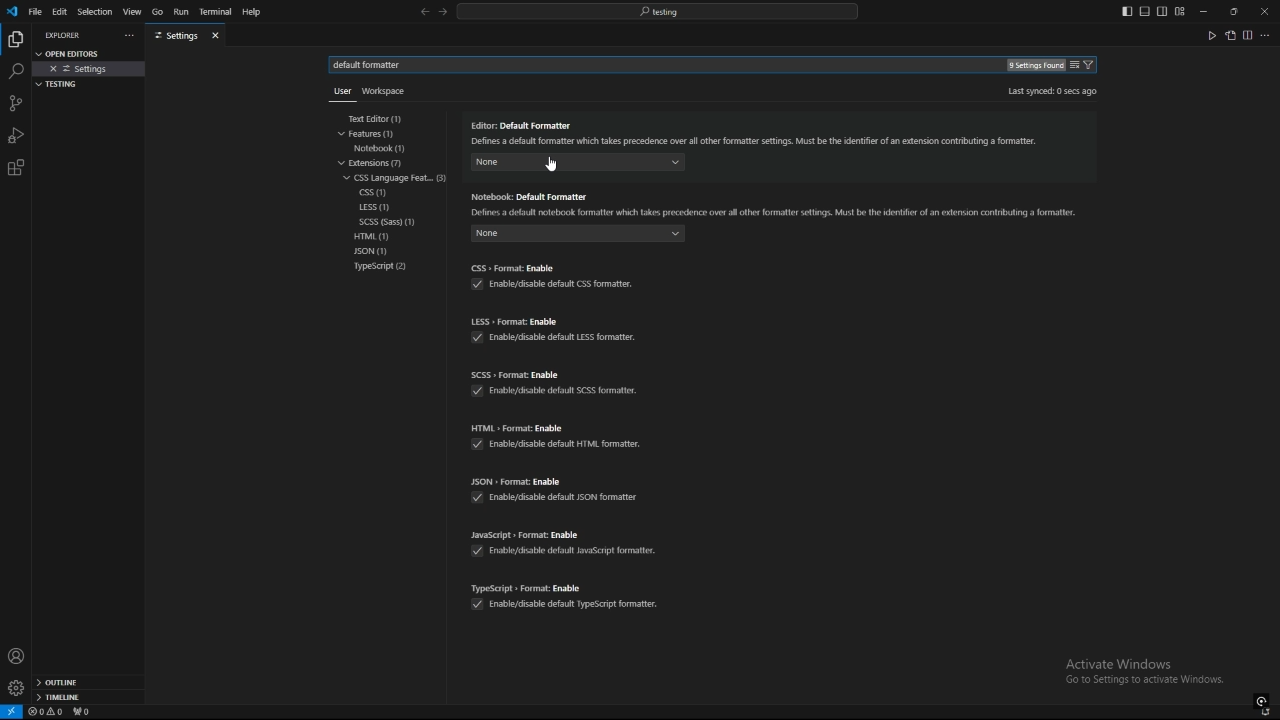 The image size is (1280, 720). What do you see at coordinates (218, 35) in the screenshot?
I see `close tab` at bounding box center [218, 35].